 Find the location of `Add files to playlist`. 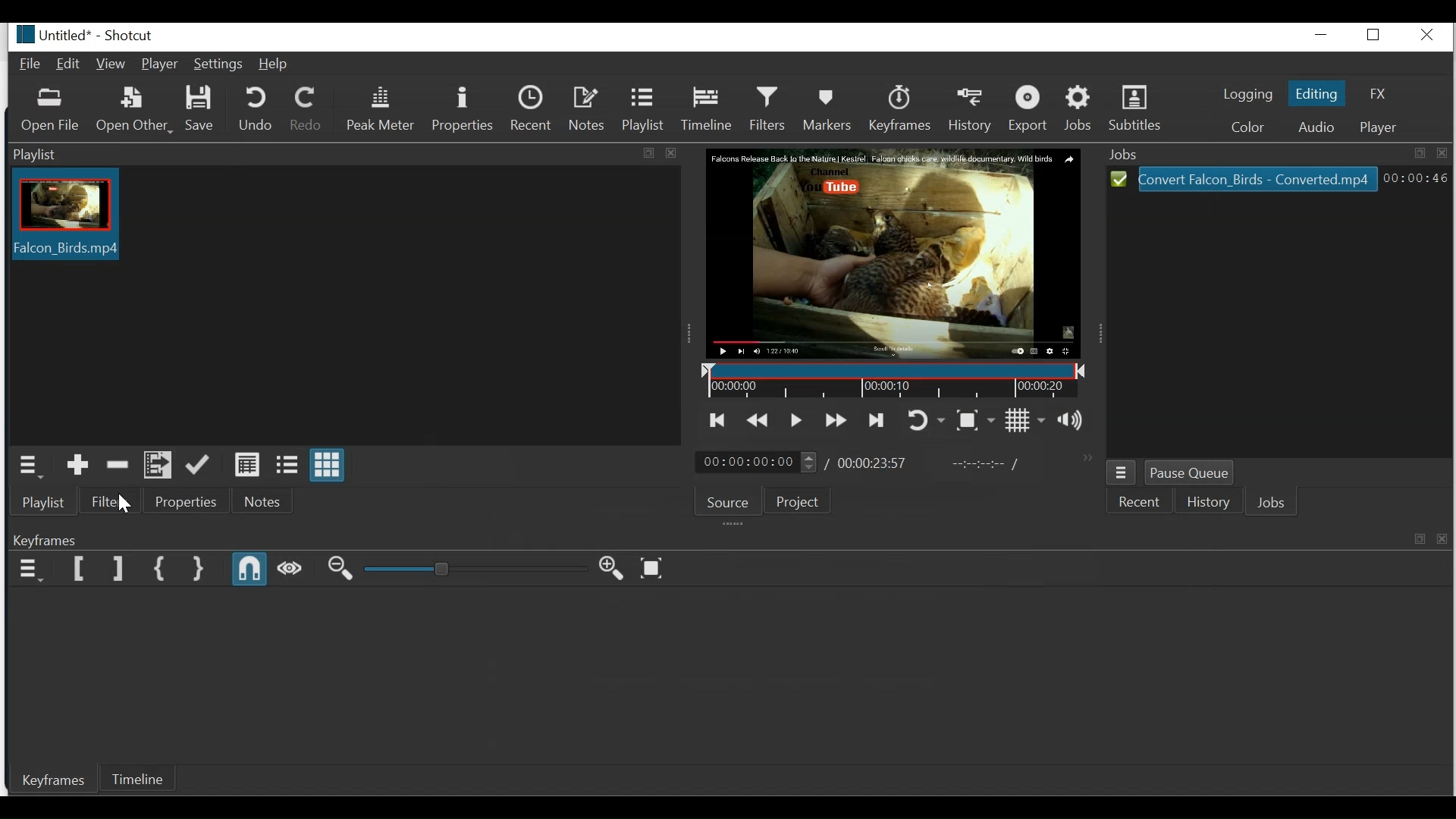

Add files to playlist is located at coordinates (157, 465).